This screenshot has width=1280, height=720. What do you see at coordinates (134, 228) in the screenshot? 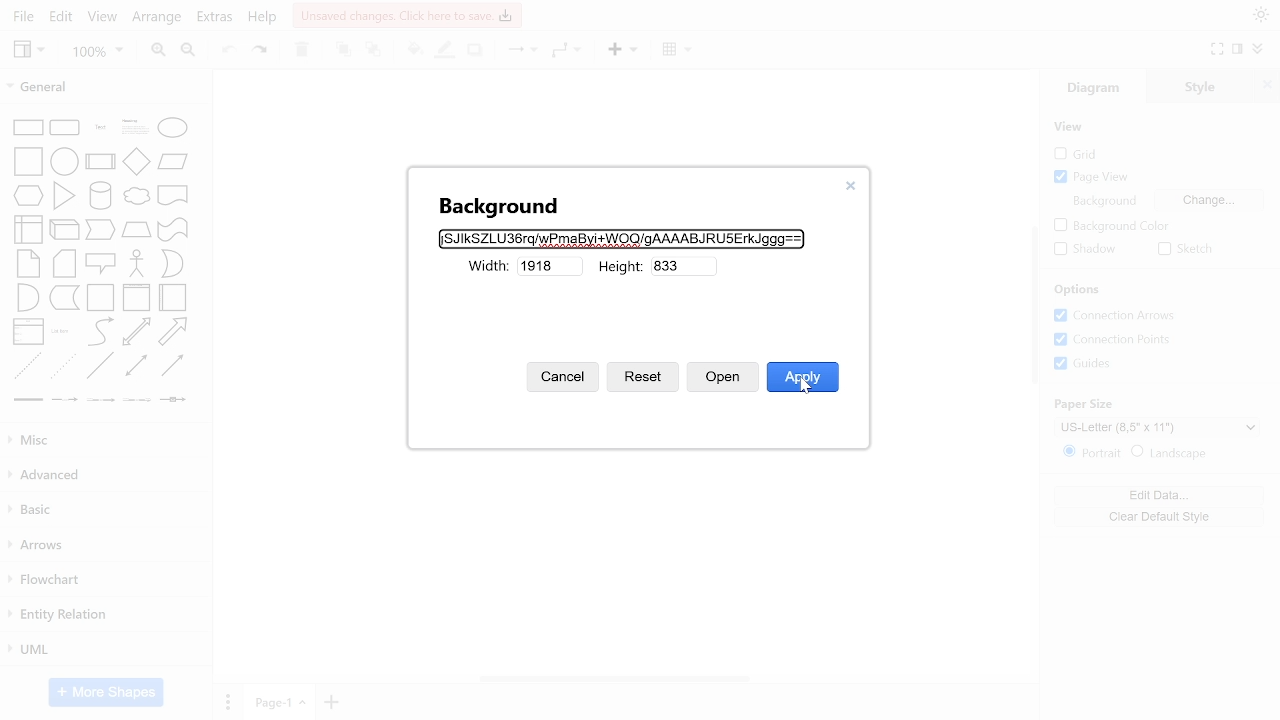
I see `general shapes` at bounding box center [134, 228].